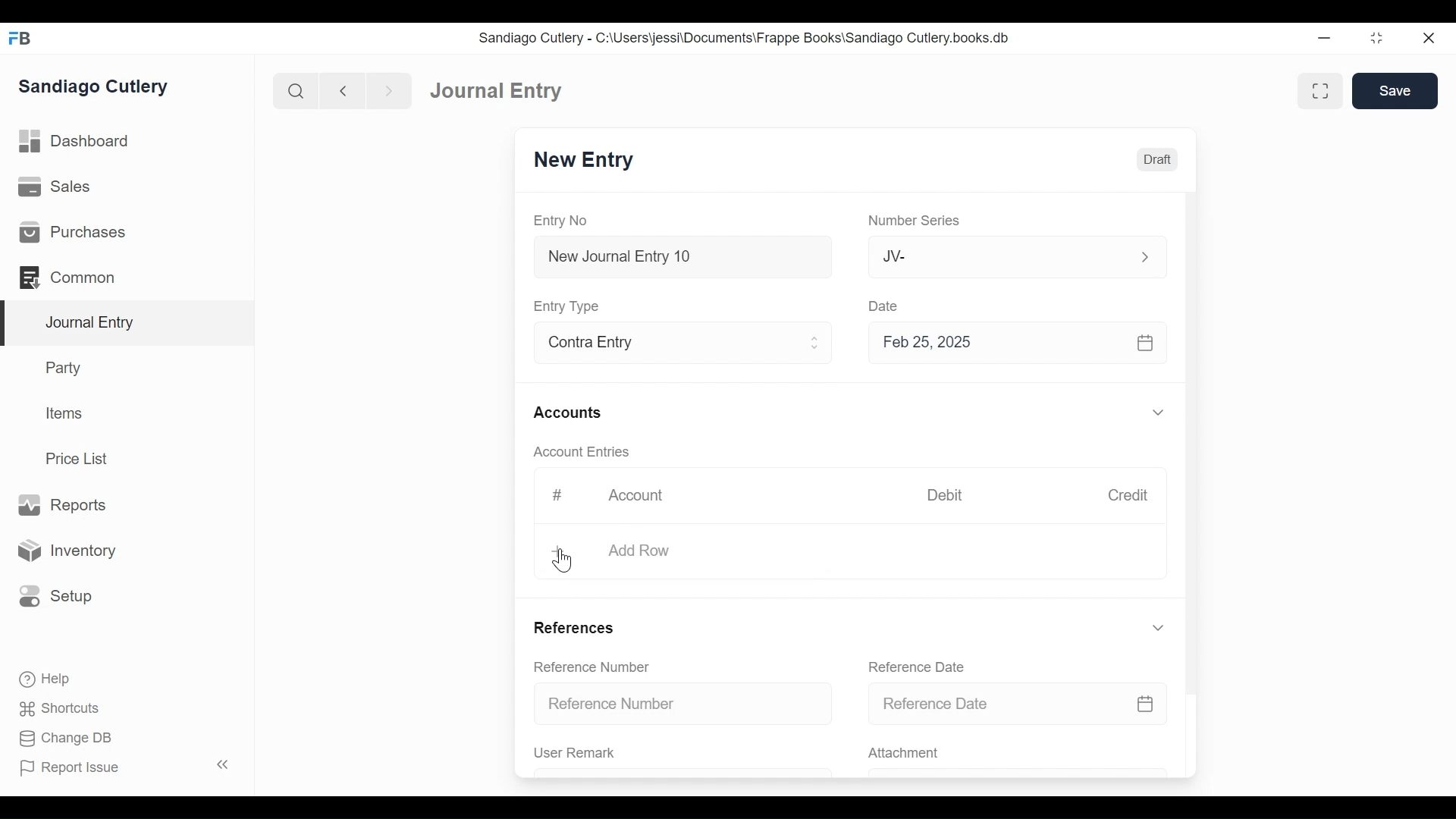 This screenshot has width=1456, height=819. What do you see at coordinates (297, 90) in the screenshot?
I see `Search` at bounding box center [297, 90].